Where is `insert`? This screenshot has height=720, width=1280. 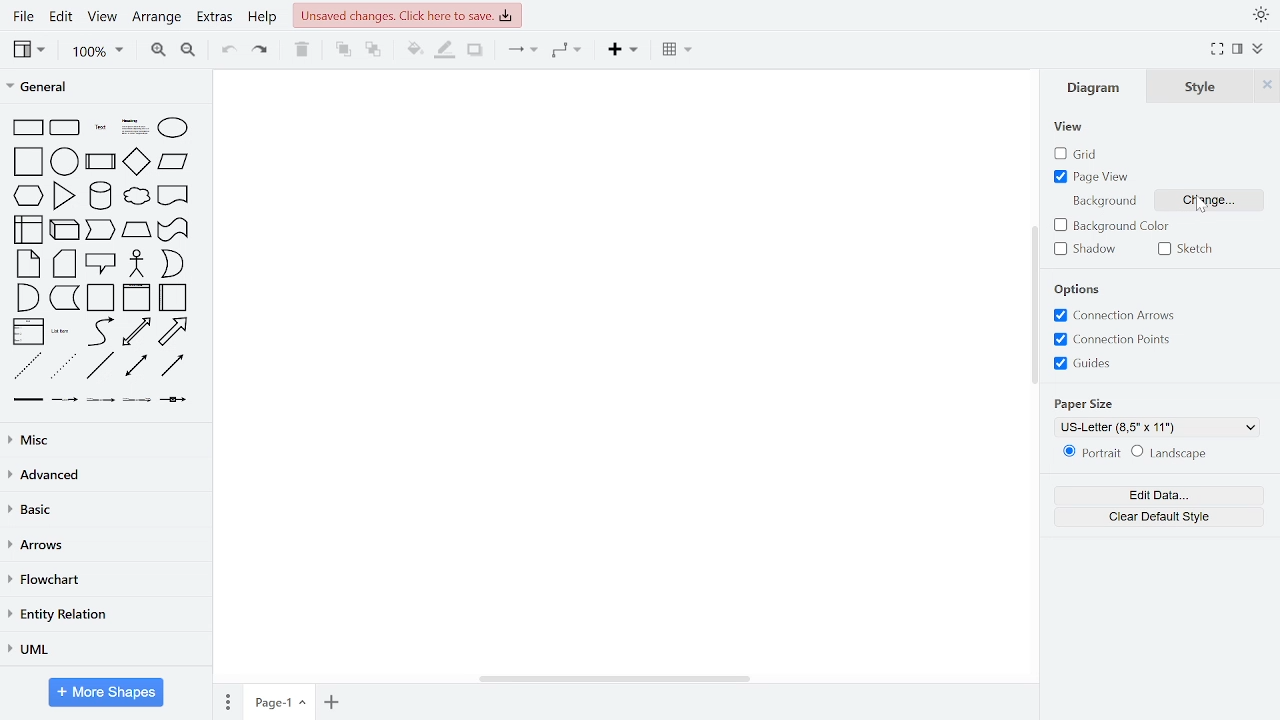 insert is located at coordinates (620, 51).